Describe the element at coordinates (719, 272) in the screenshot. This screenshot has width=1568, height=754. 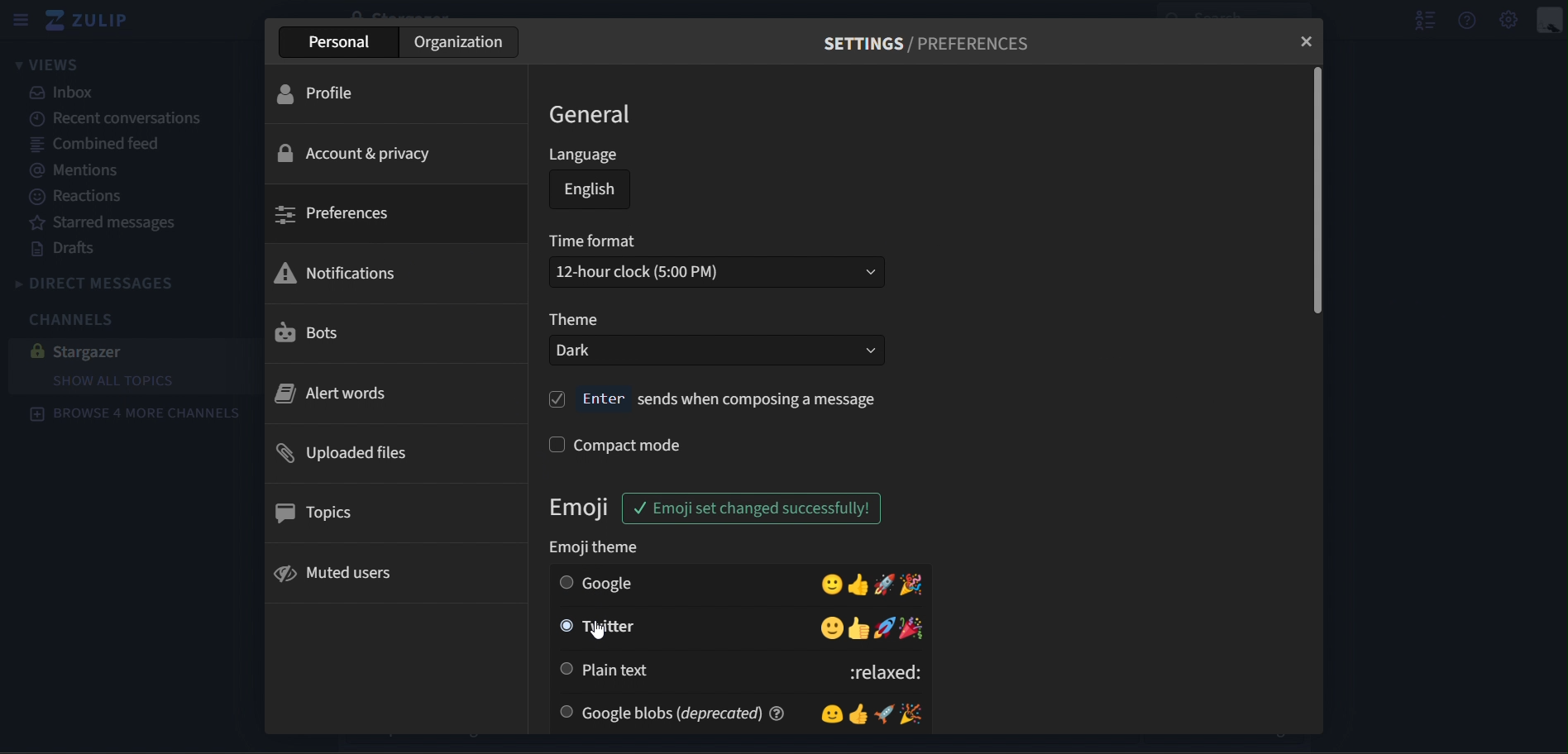
I see `12-hour clock (5:00 PM)` at that location.